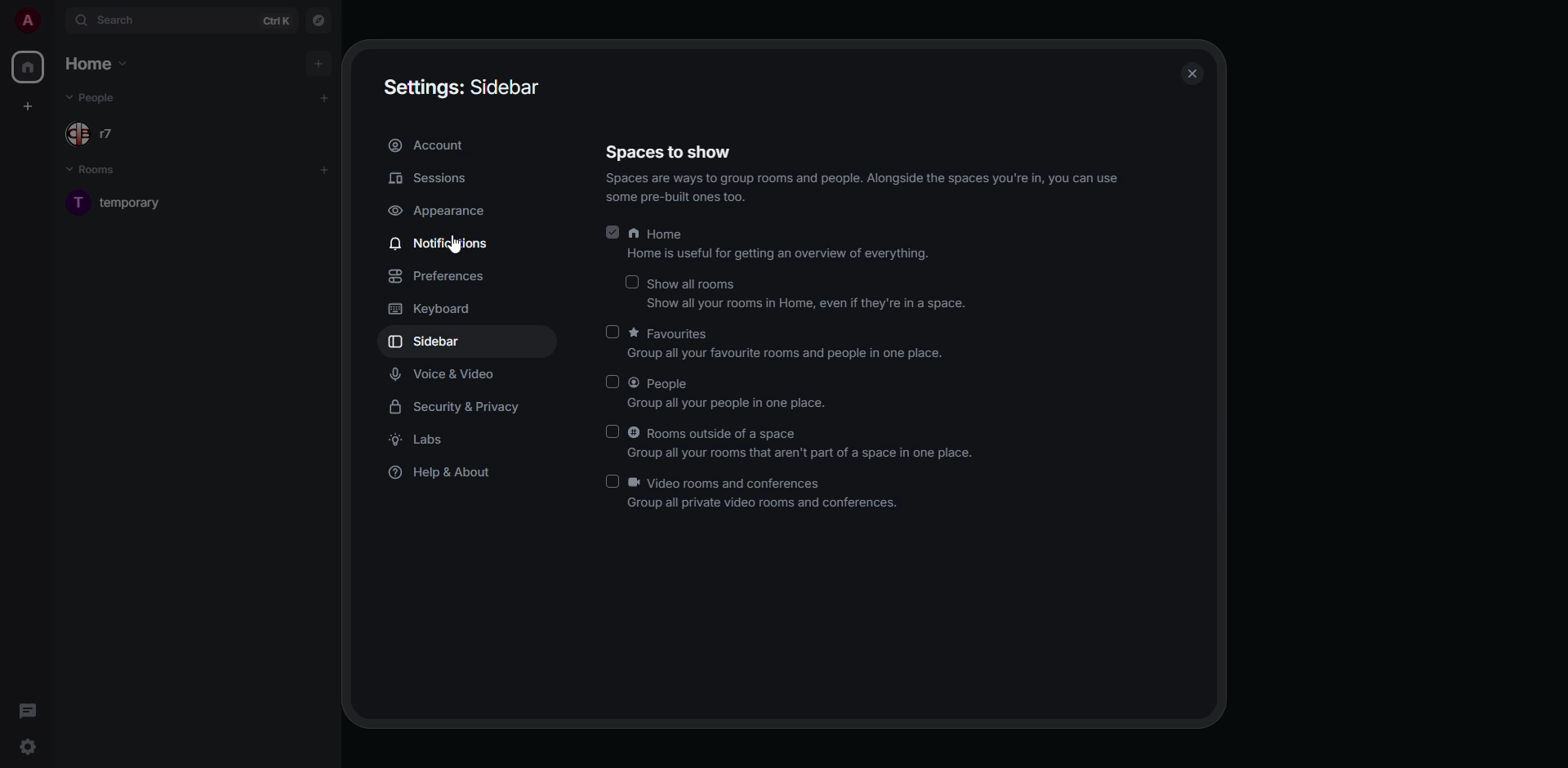  I want to click on labs, so click(421, 444).